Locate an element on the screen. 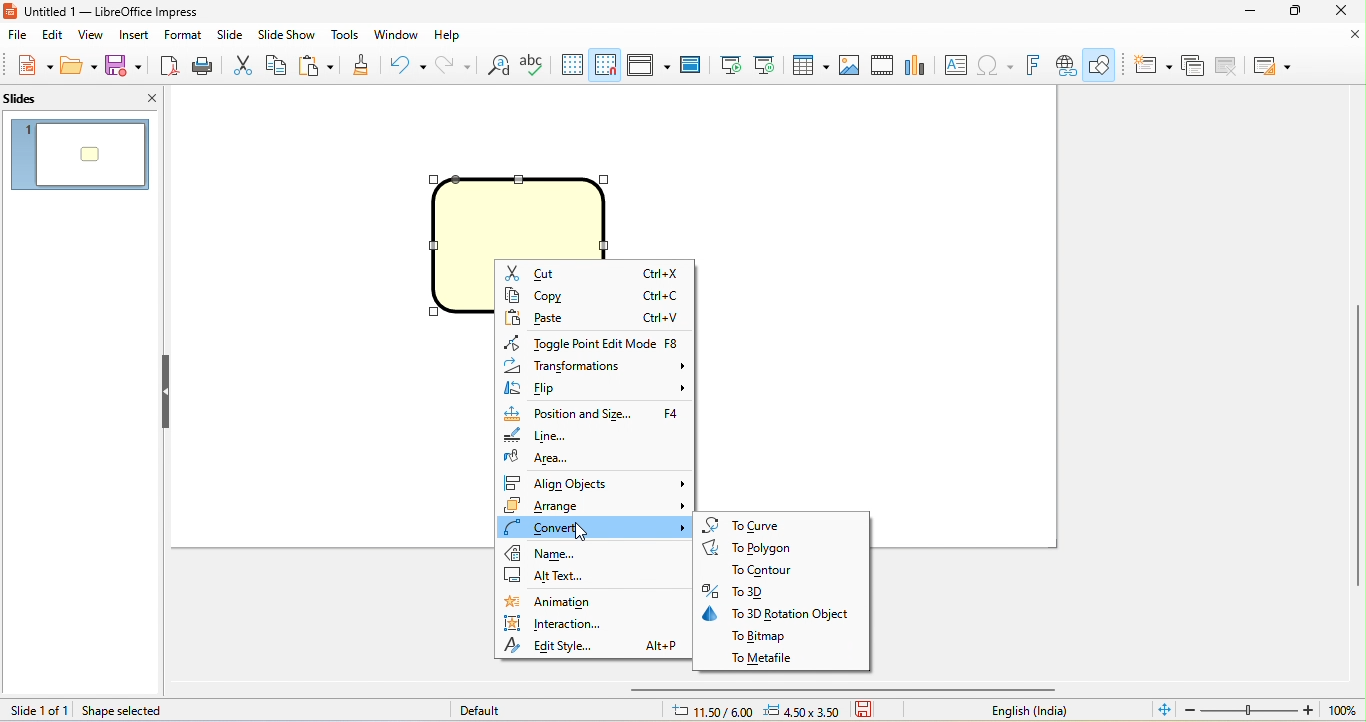  redo is located at coordinates (450, 64).